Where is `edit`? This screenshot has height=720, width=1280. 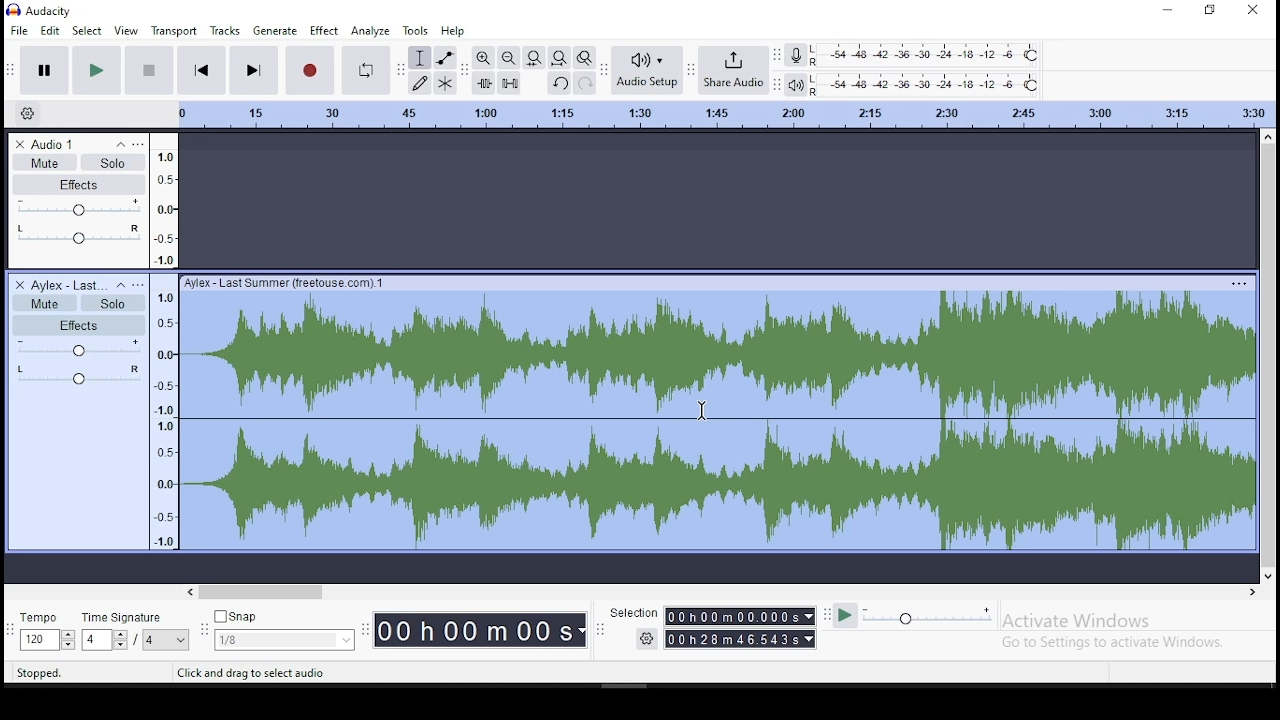
edit is located at coordinates (49, 30).